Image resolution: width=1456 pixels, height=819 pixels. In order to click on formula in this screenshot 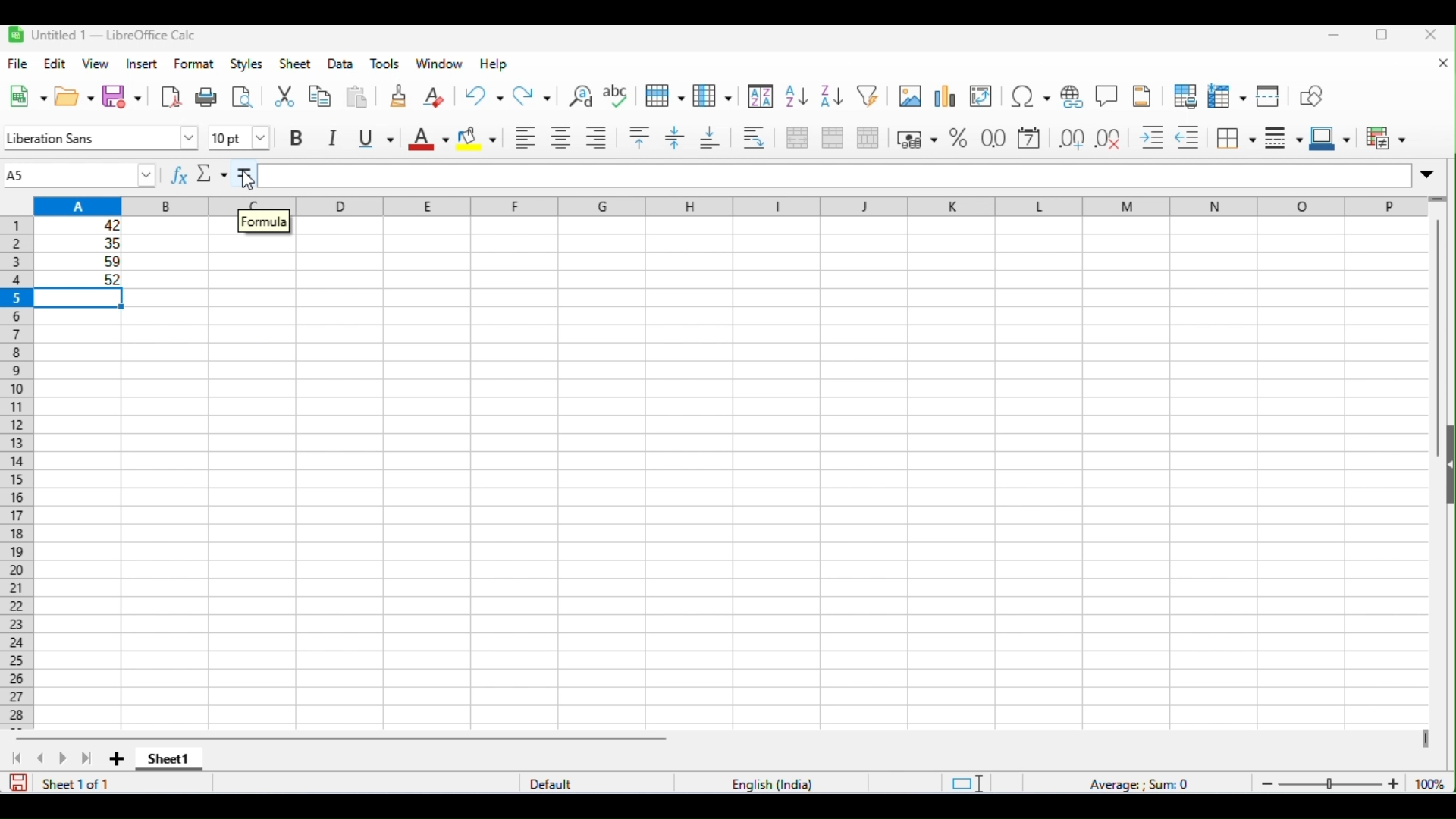, I will do `click(265, 221)`.